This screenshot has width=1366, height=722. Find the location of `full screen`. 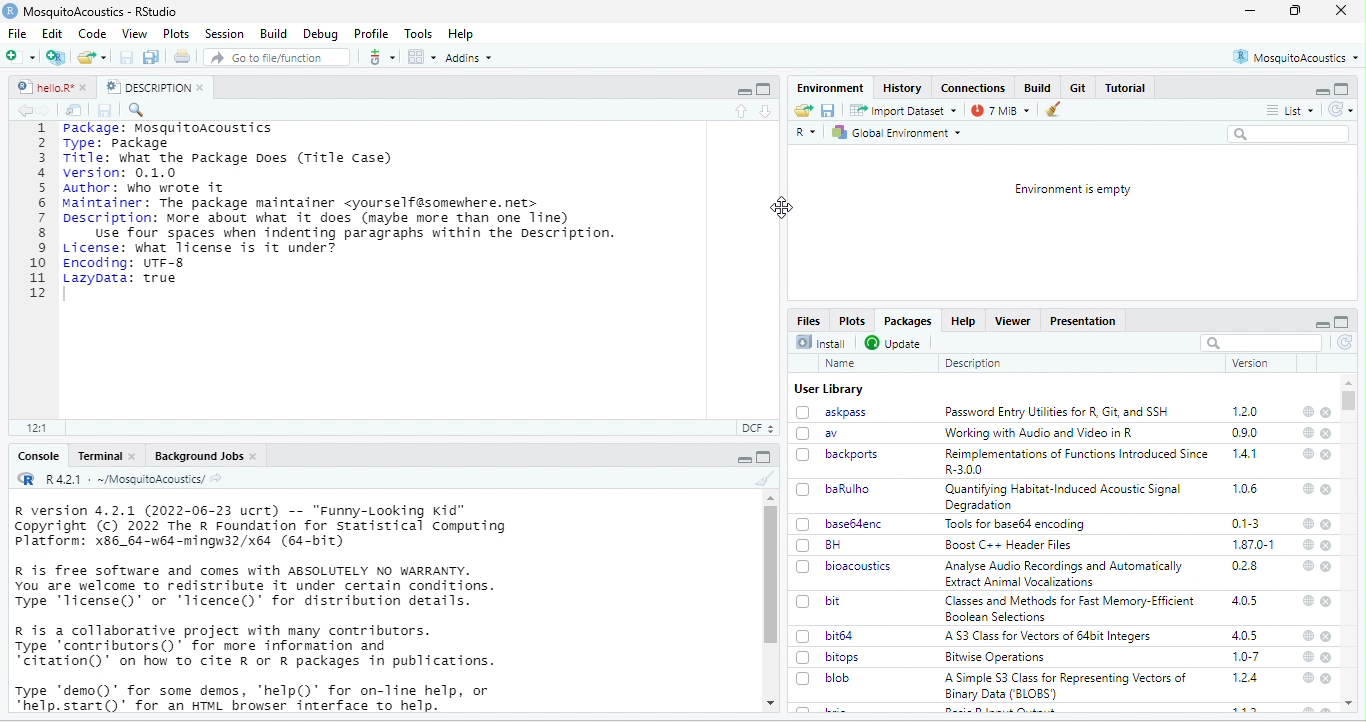

full screen is located at coordinates (765, 457).